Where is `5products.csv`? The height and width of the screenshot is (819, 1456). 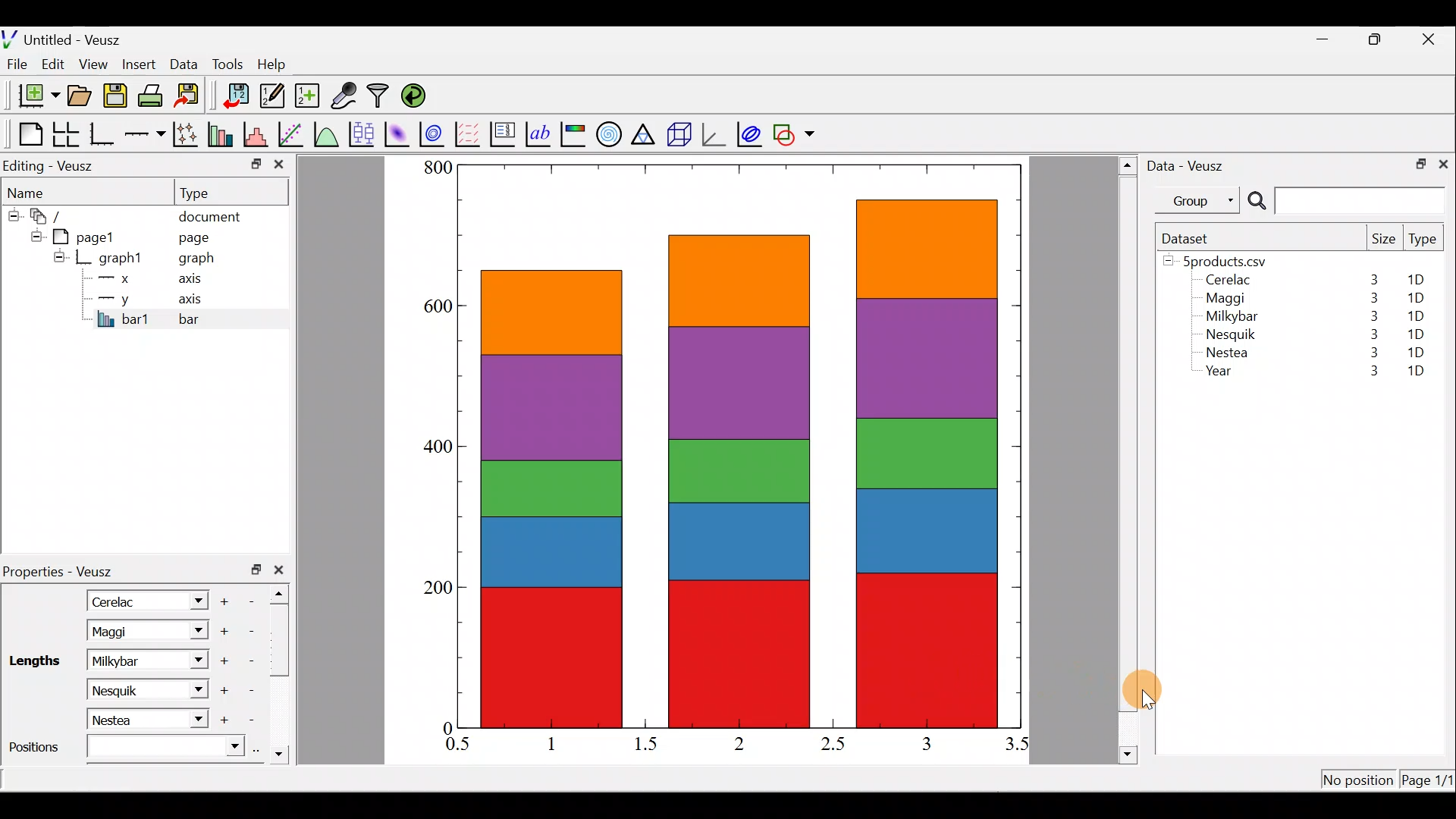
5products.csv is located at coordinates (1223, 260).